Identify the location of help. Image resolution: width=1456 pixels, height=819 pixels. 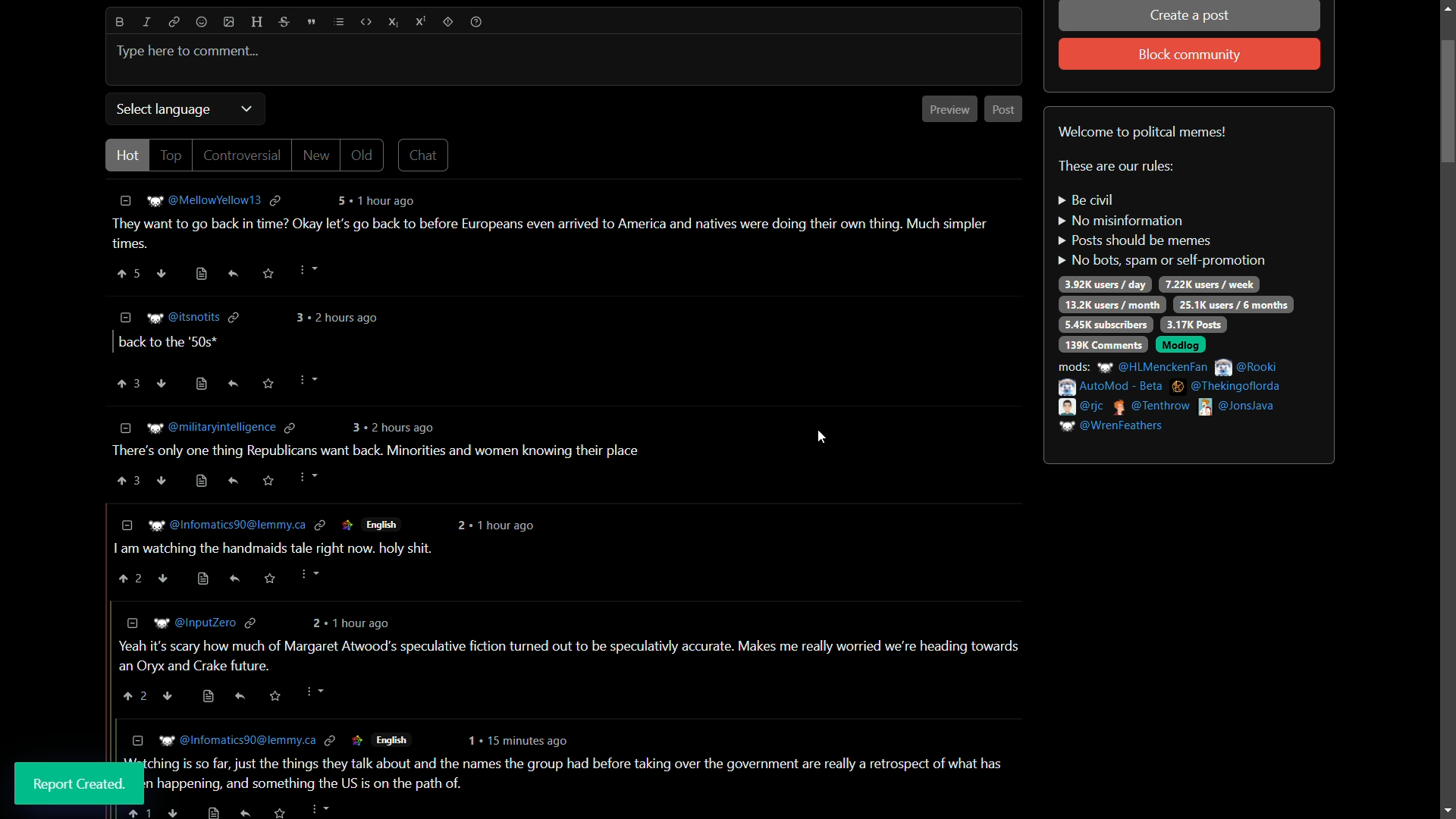
(476, 22).